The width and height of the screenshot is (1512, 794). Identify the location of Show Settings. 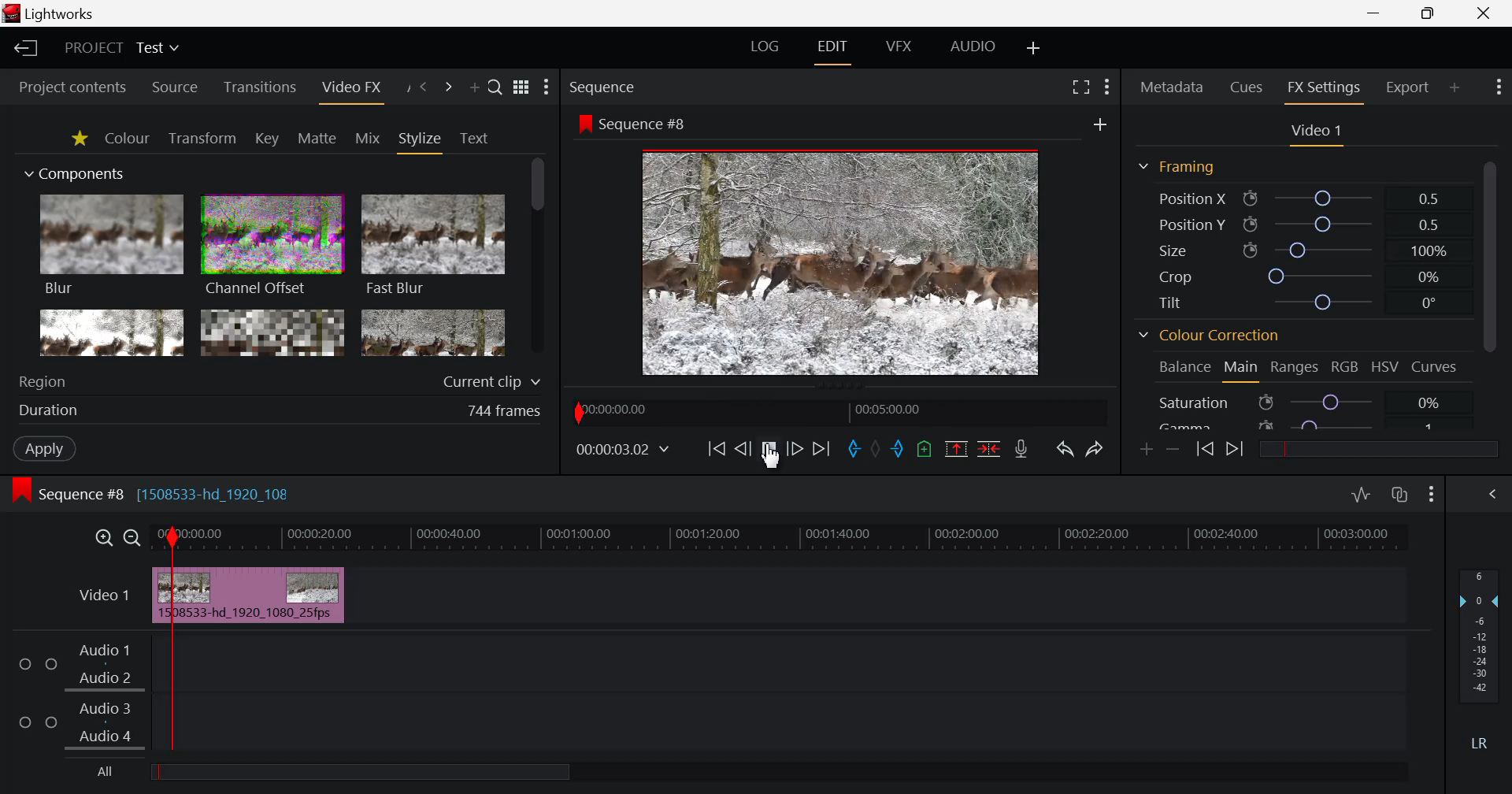
(1497, 89).